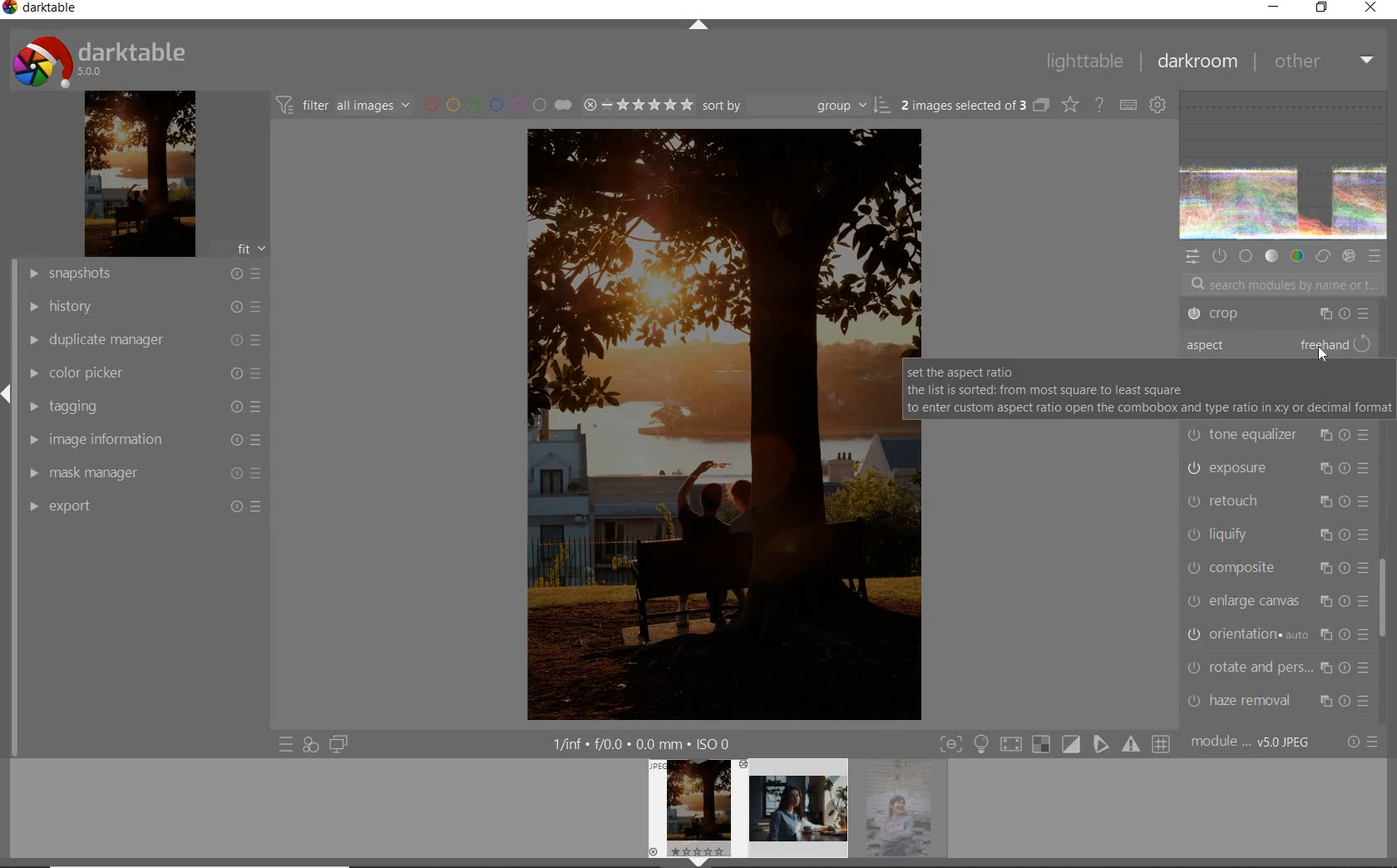 This screenshot has height=868, width=1397. I want to click on other, so click(1323, 62).